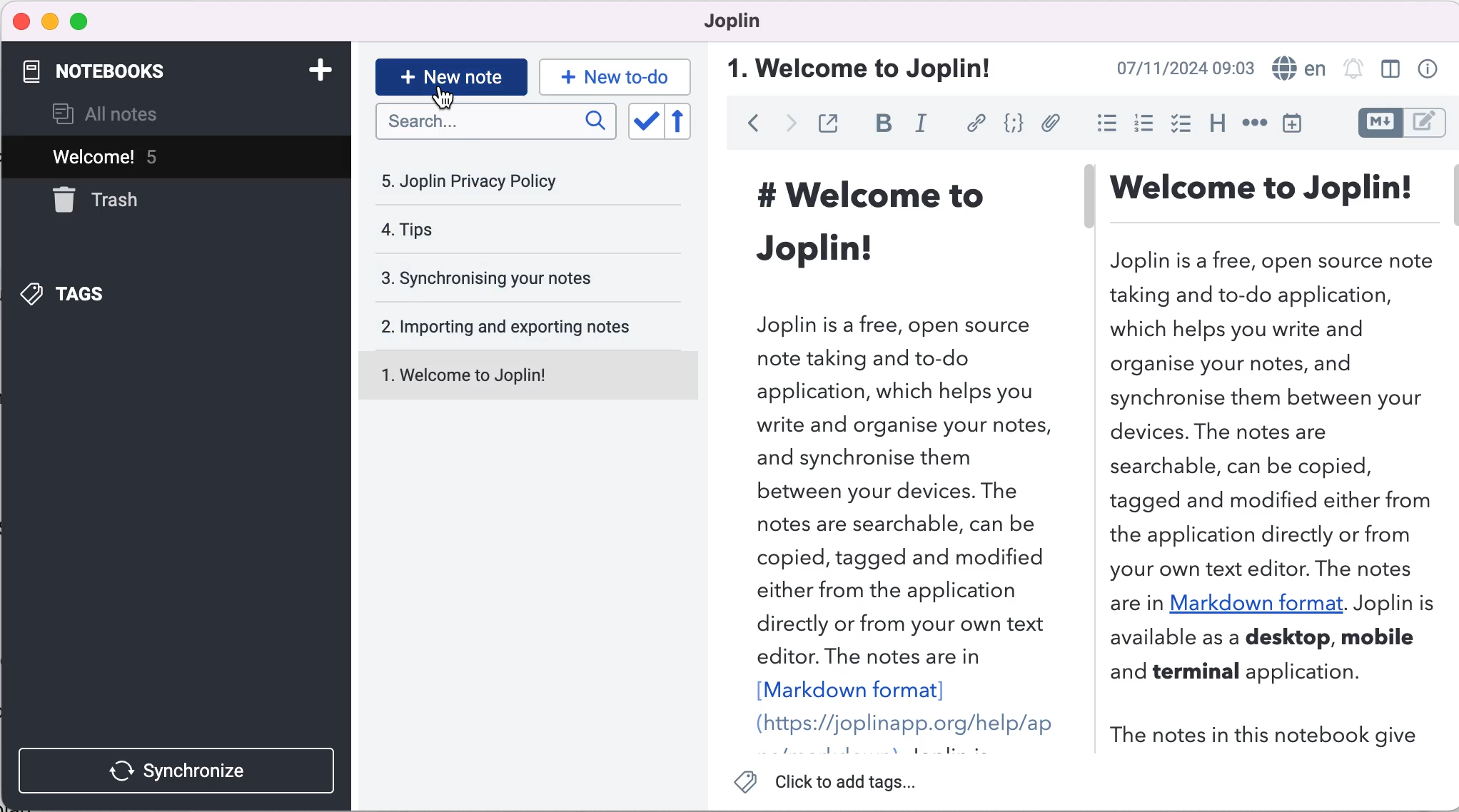 This screenshot has height=812, width=1459. I want to click on vertical slider, so click(1091, 199).